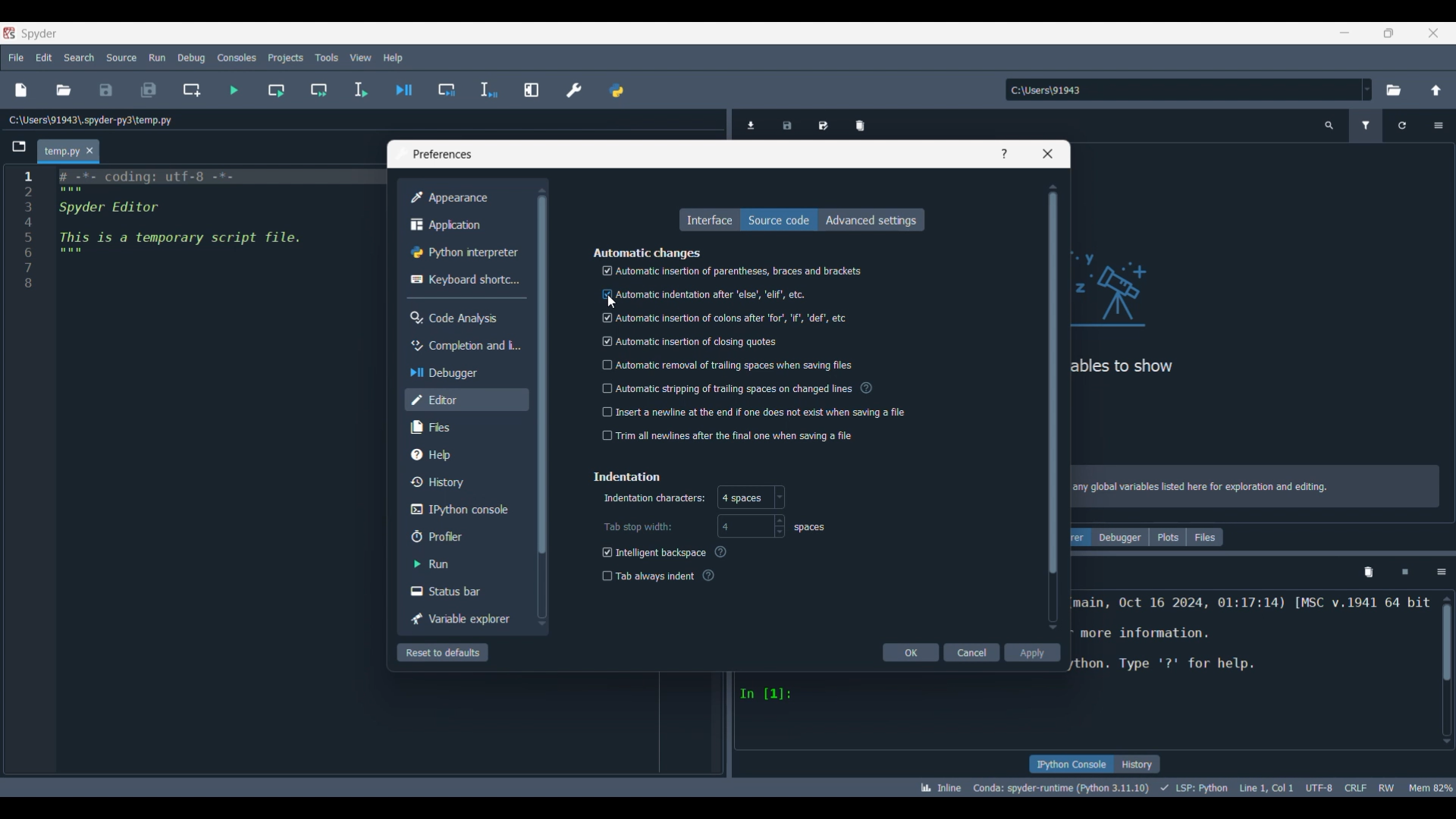 The width and height of the screenshot is (1456, 819). I want to click on Code analysis, so click(466, 317).